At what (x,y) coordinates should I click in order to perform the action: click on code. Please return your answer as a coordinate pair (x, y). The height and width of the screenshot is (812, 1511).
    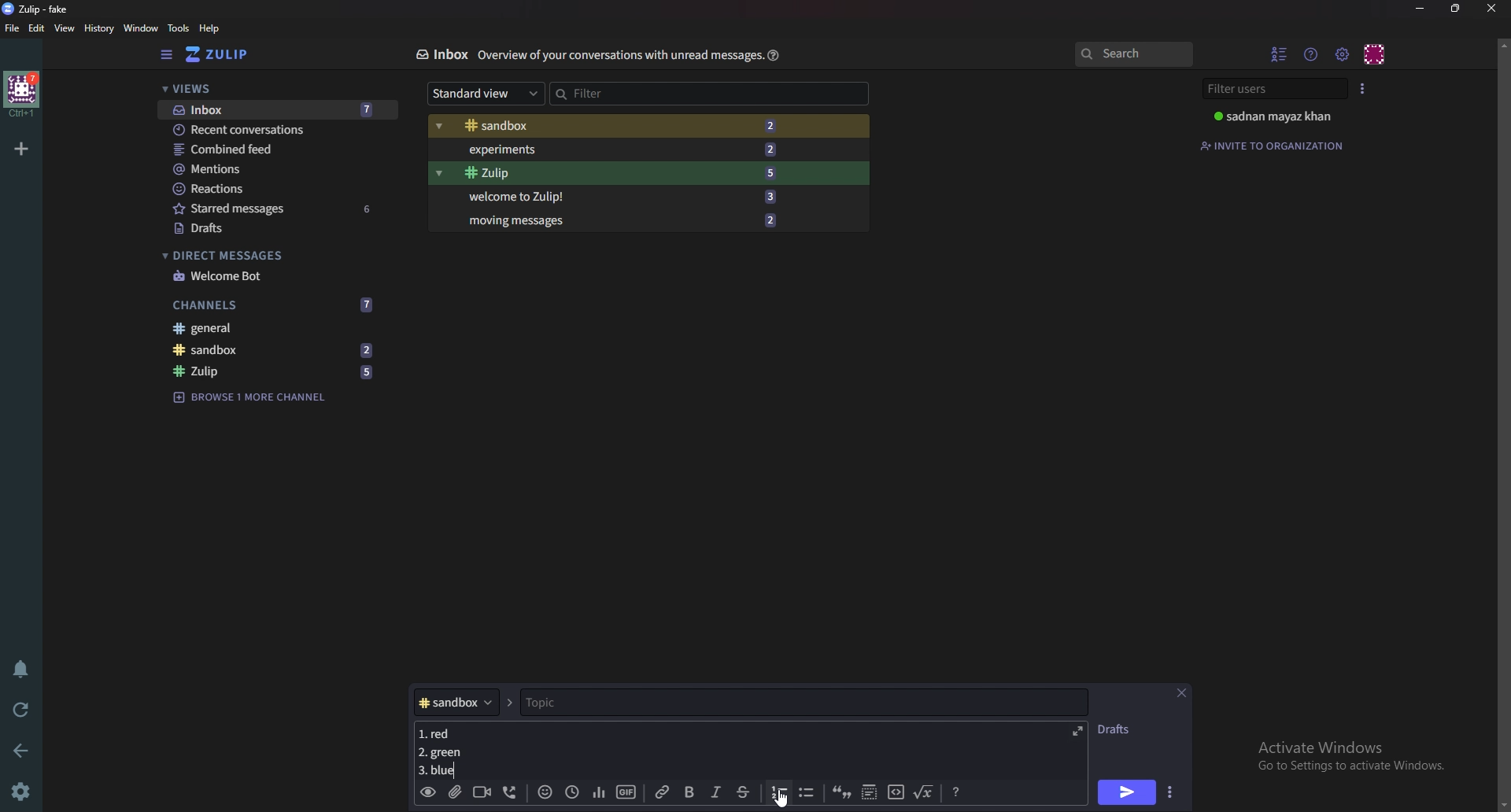
    Looking at the image, I should click on (895, 794).